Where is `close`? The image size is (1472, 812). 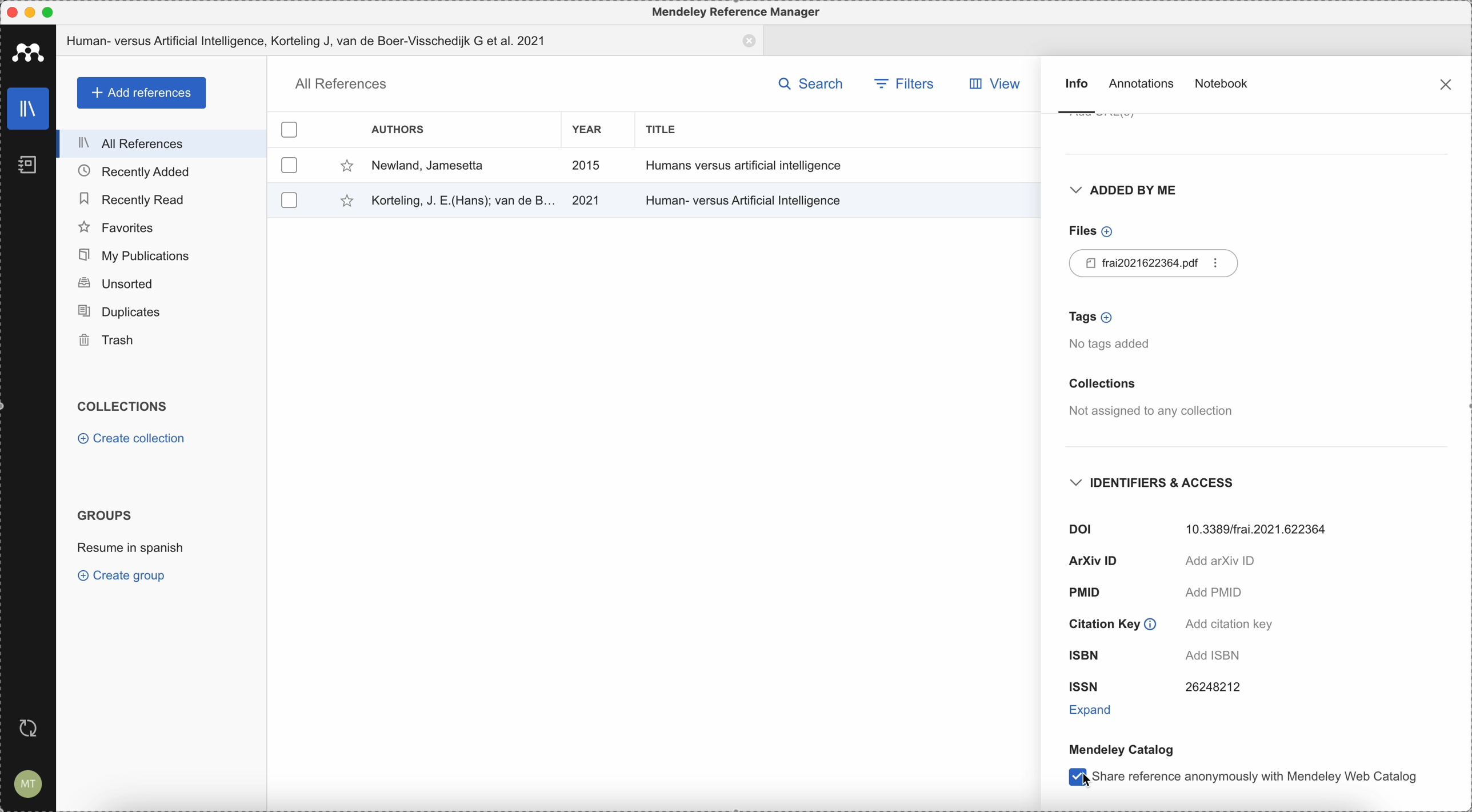 close is located at coordinates (1445, 83).